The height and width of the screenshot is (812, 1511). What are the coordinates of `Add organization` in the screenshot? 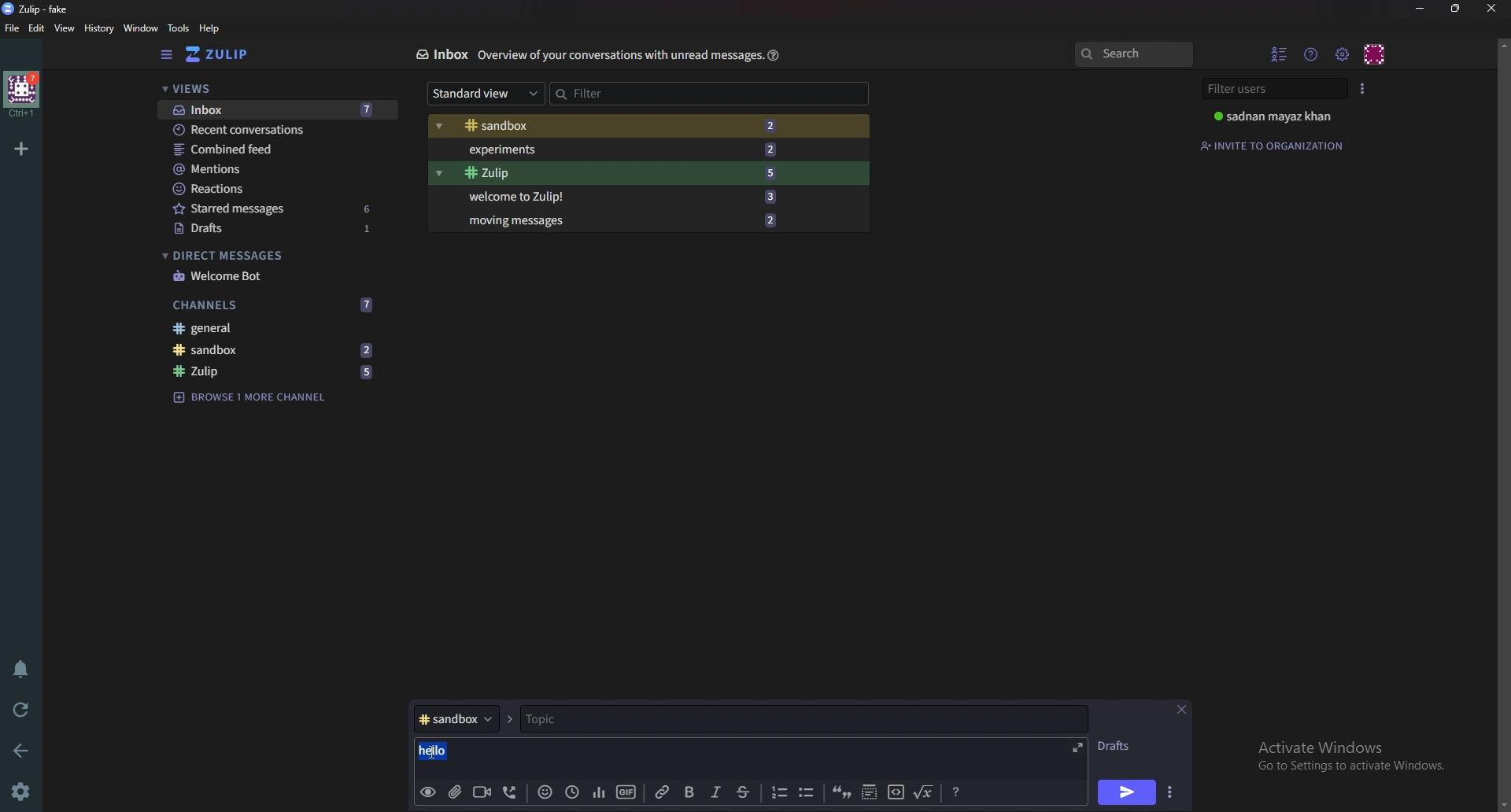 It's located at (22, 149).